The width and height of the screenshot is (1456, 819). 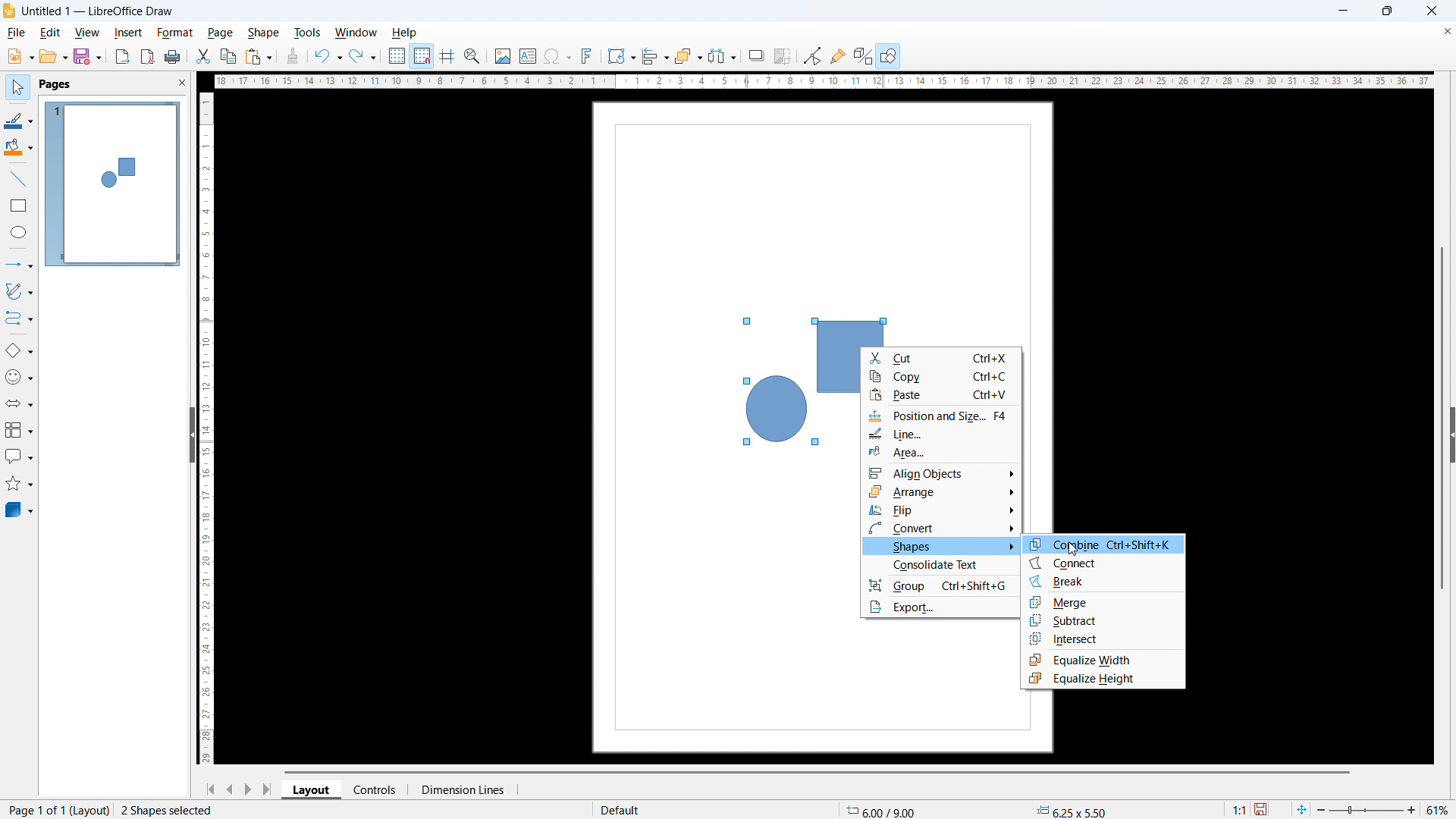 I want to click on next page, so click(x=249, y=789).